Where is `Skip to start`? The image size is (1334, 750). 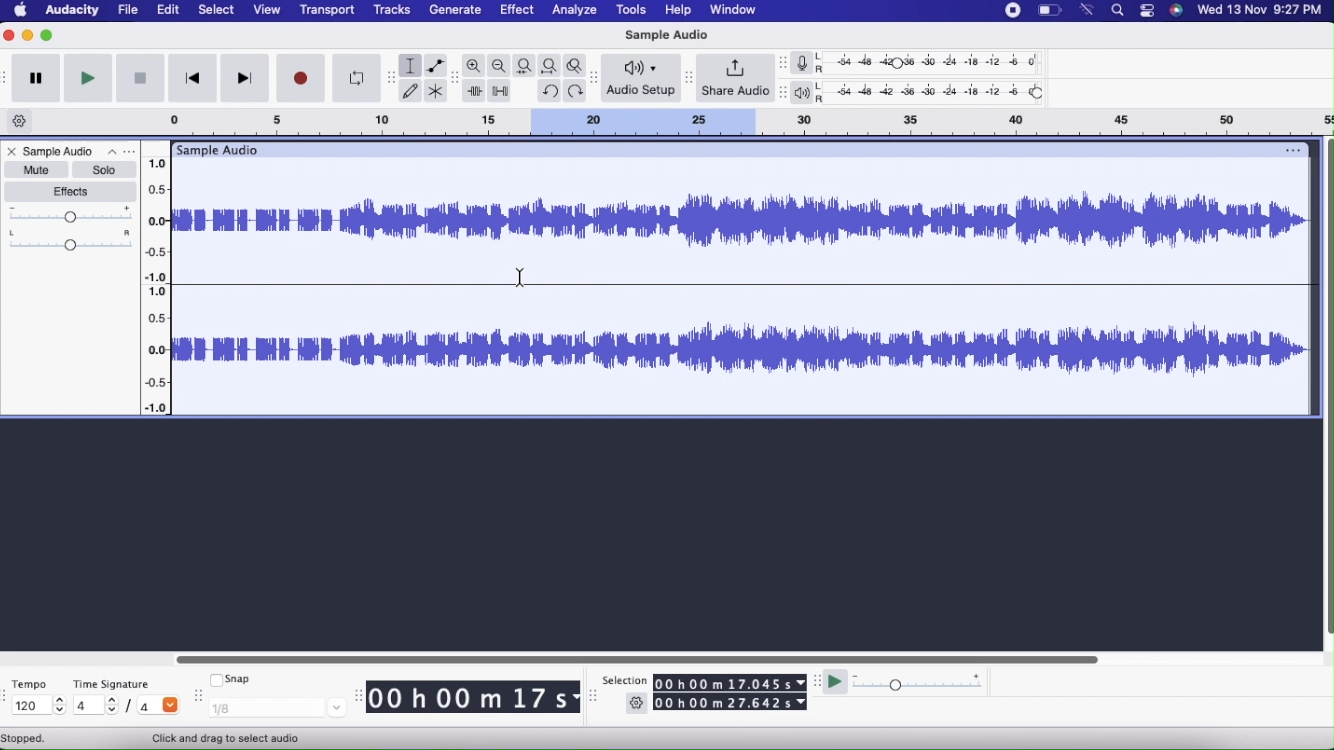 Skip to start is located at coordinates (191, 80).